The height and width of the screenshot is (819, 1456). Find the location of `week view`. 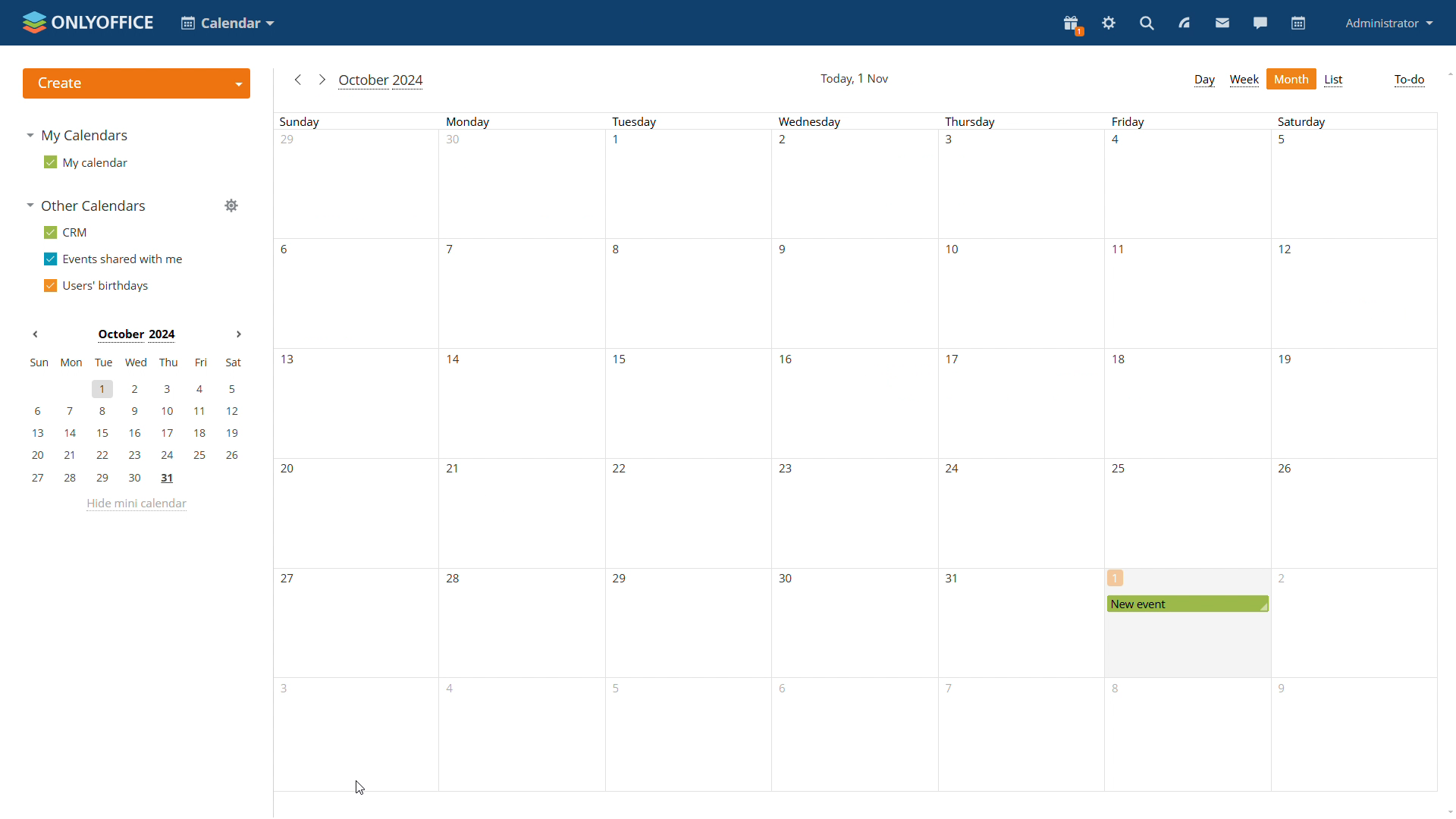

week view is located at coordinates (1245, 81).